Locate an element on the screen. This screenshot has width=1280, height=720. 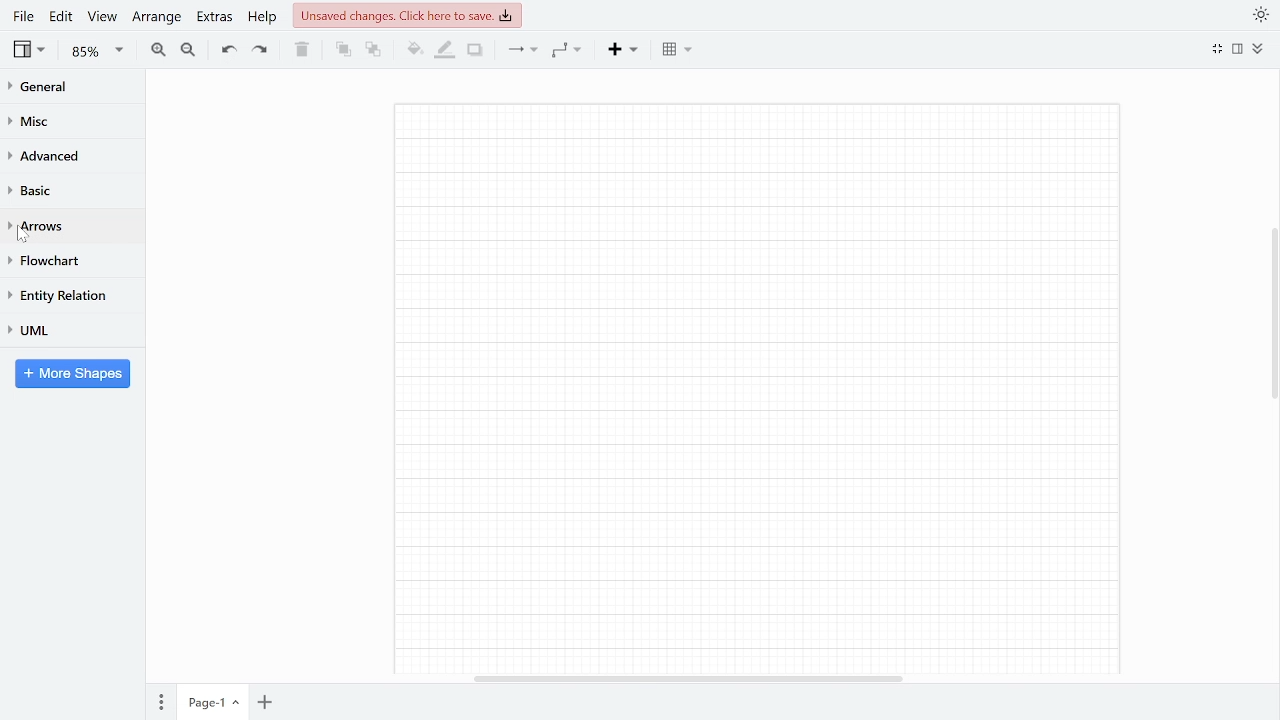
Connections is located at coordinates (523, 50).